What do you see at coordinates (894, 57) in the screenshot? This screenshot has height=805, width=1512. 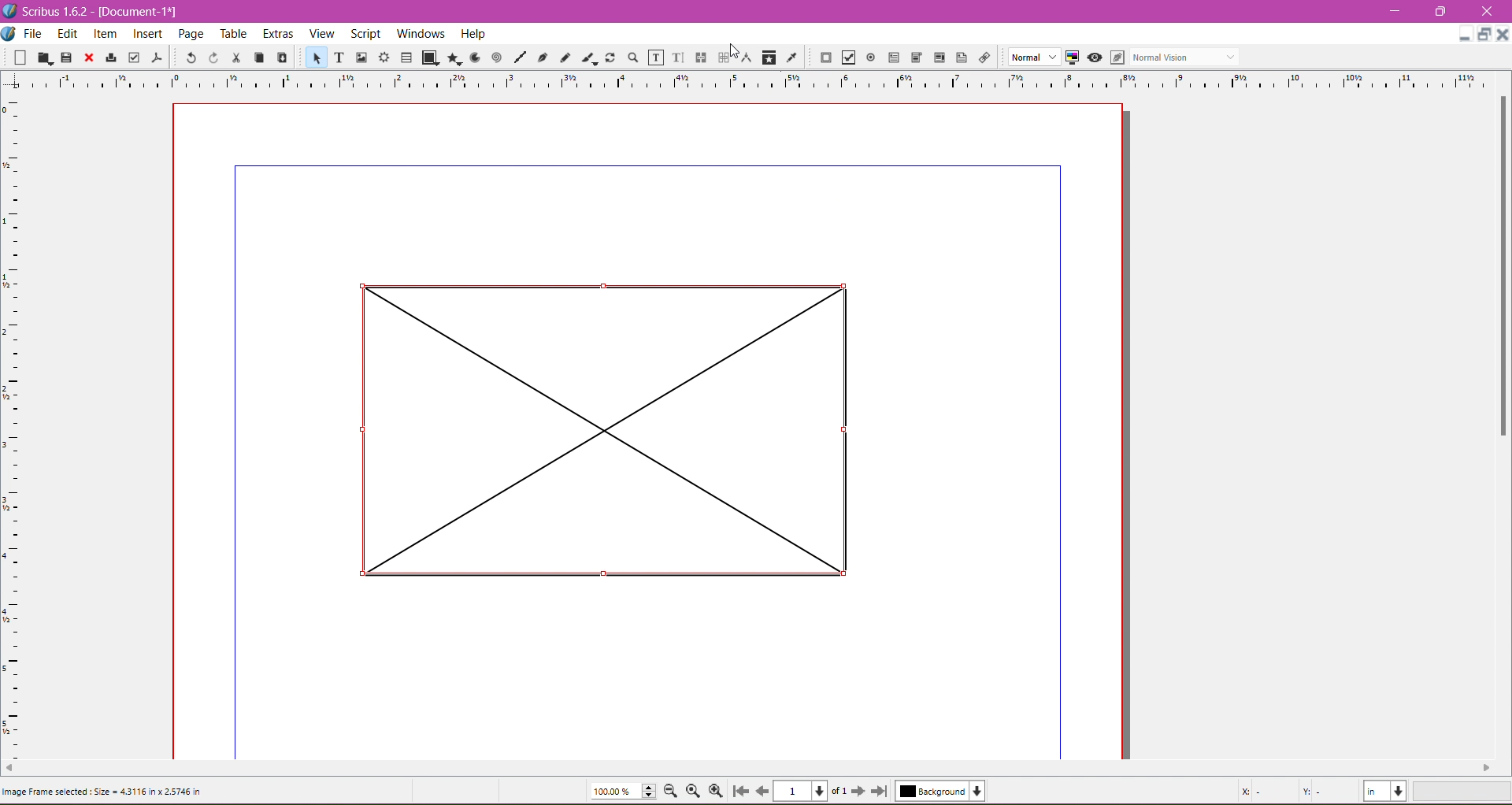 I see `PDF text Field` at bounding box center [894, 57].